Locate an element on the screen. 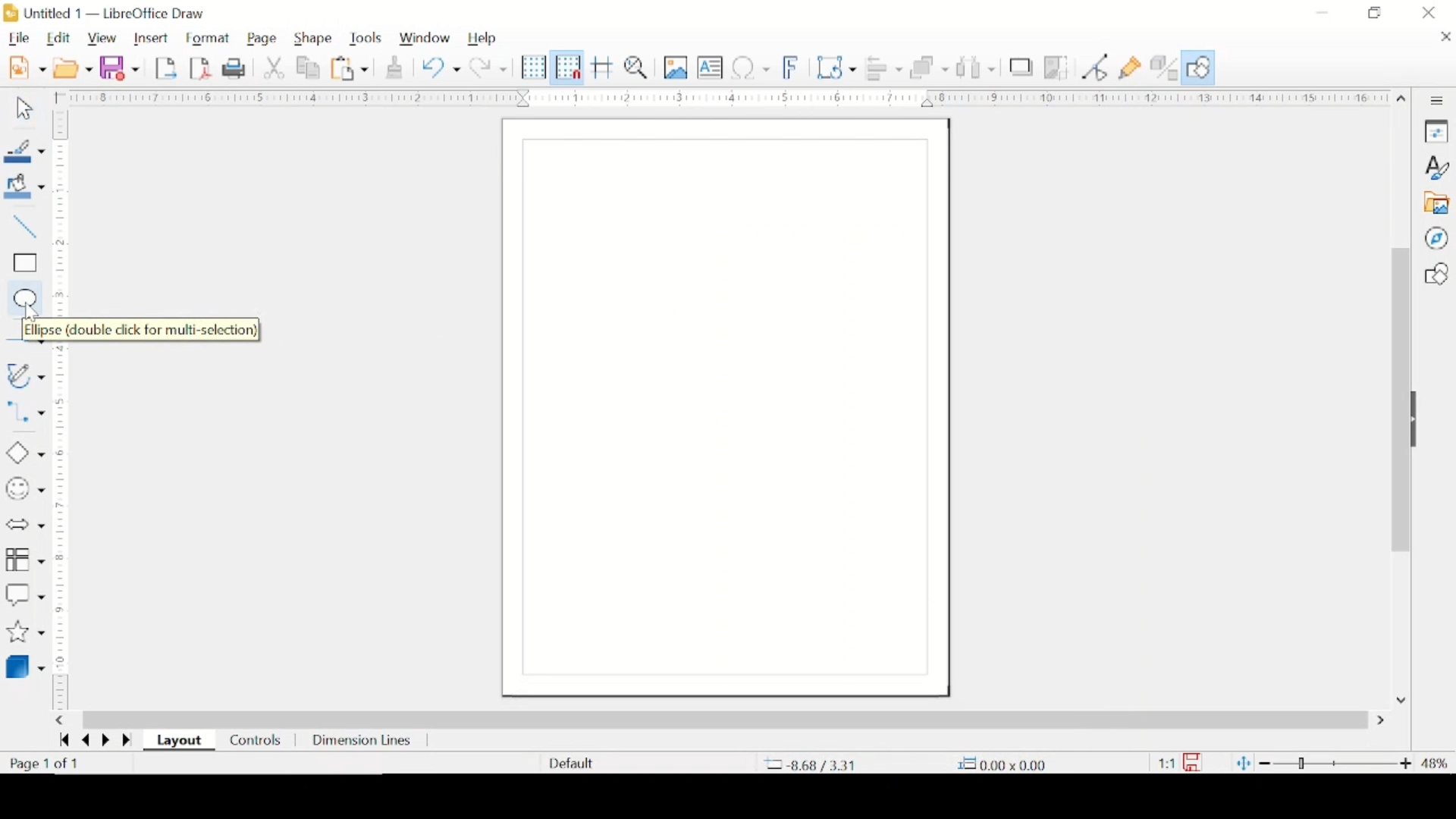 The image size is (1456, 819). insert special characters is located at coordinates (752, 67).